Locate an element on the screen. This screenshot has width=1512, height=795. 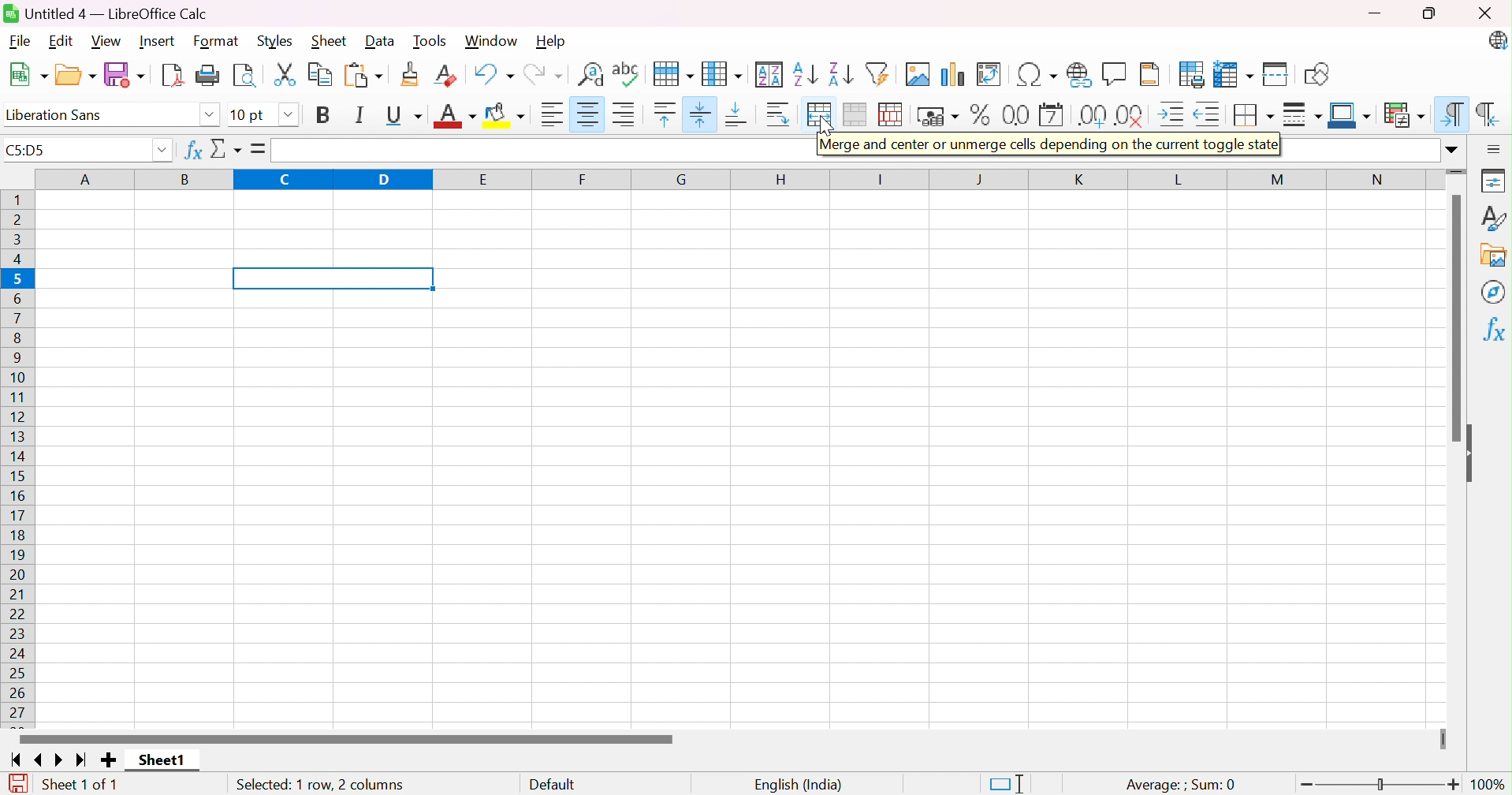
AutoFilter is located at coordinates (879, 73).